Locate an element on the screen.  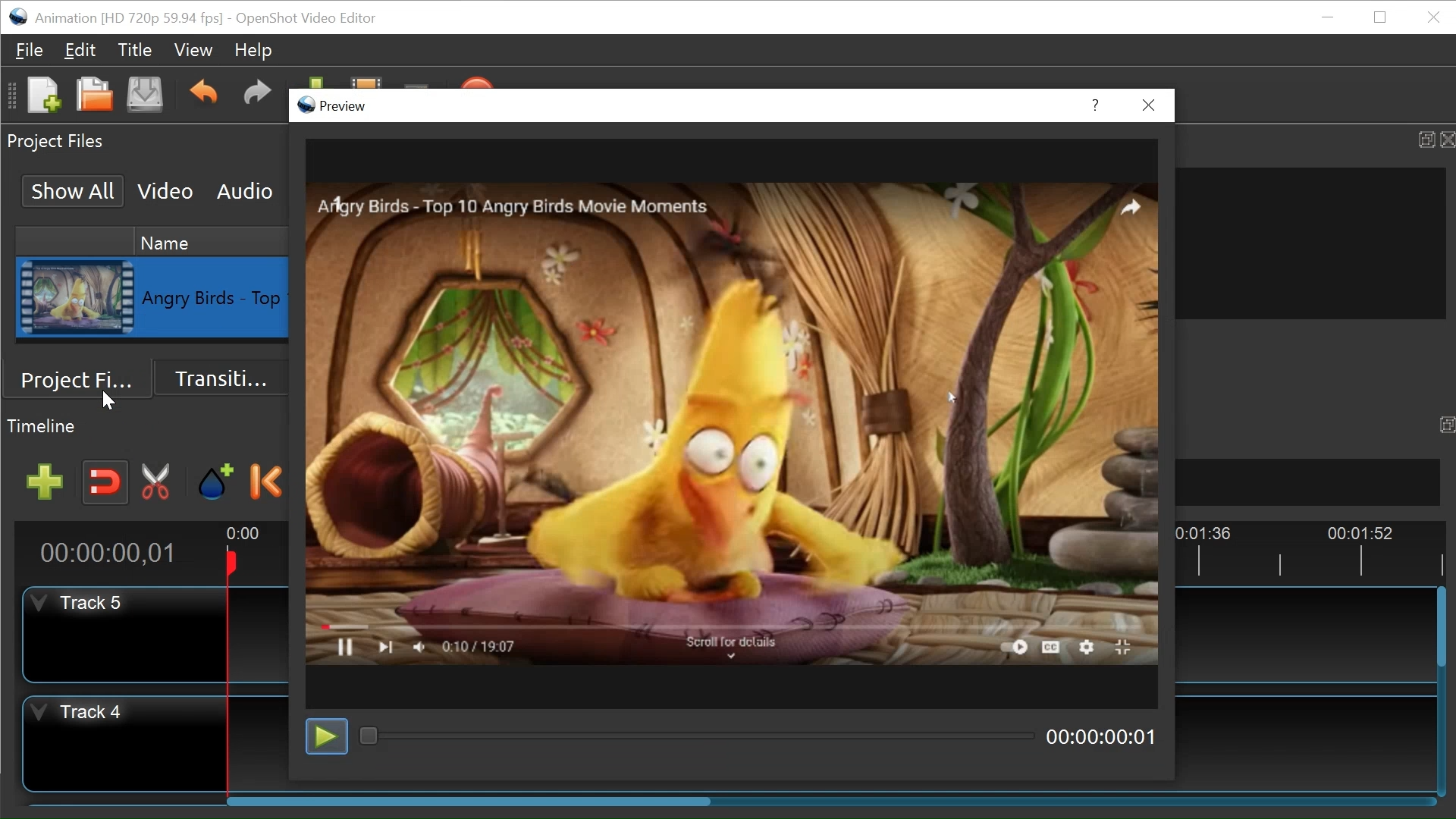
Clip is located at coordinates (77, 298).